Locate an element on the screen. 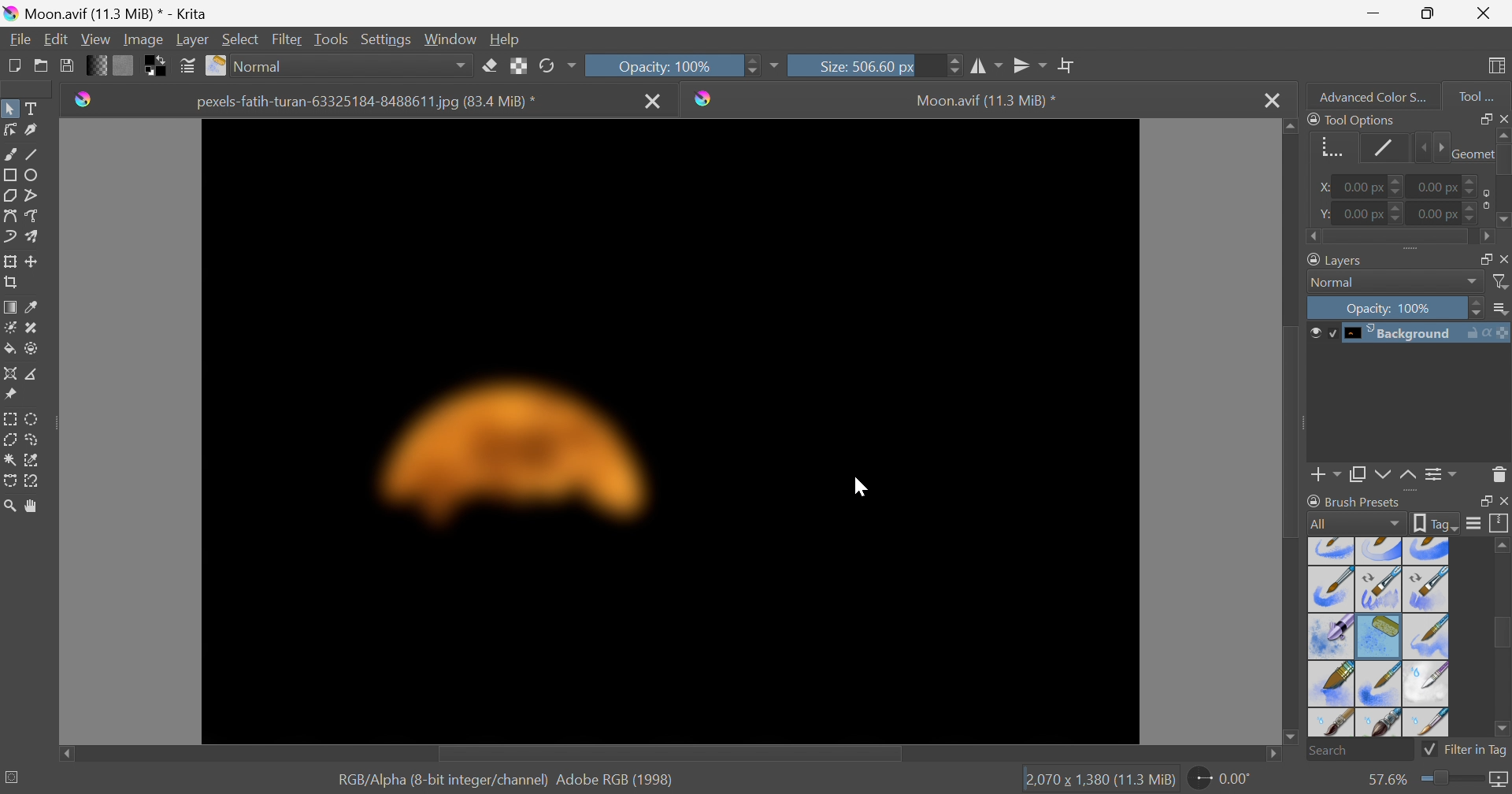  0.00 px is located at coordinates (1449, 184).